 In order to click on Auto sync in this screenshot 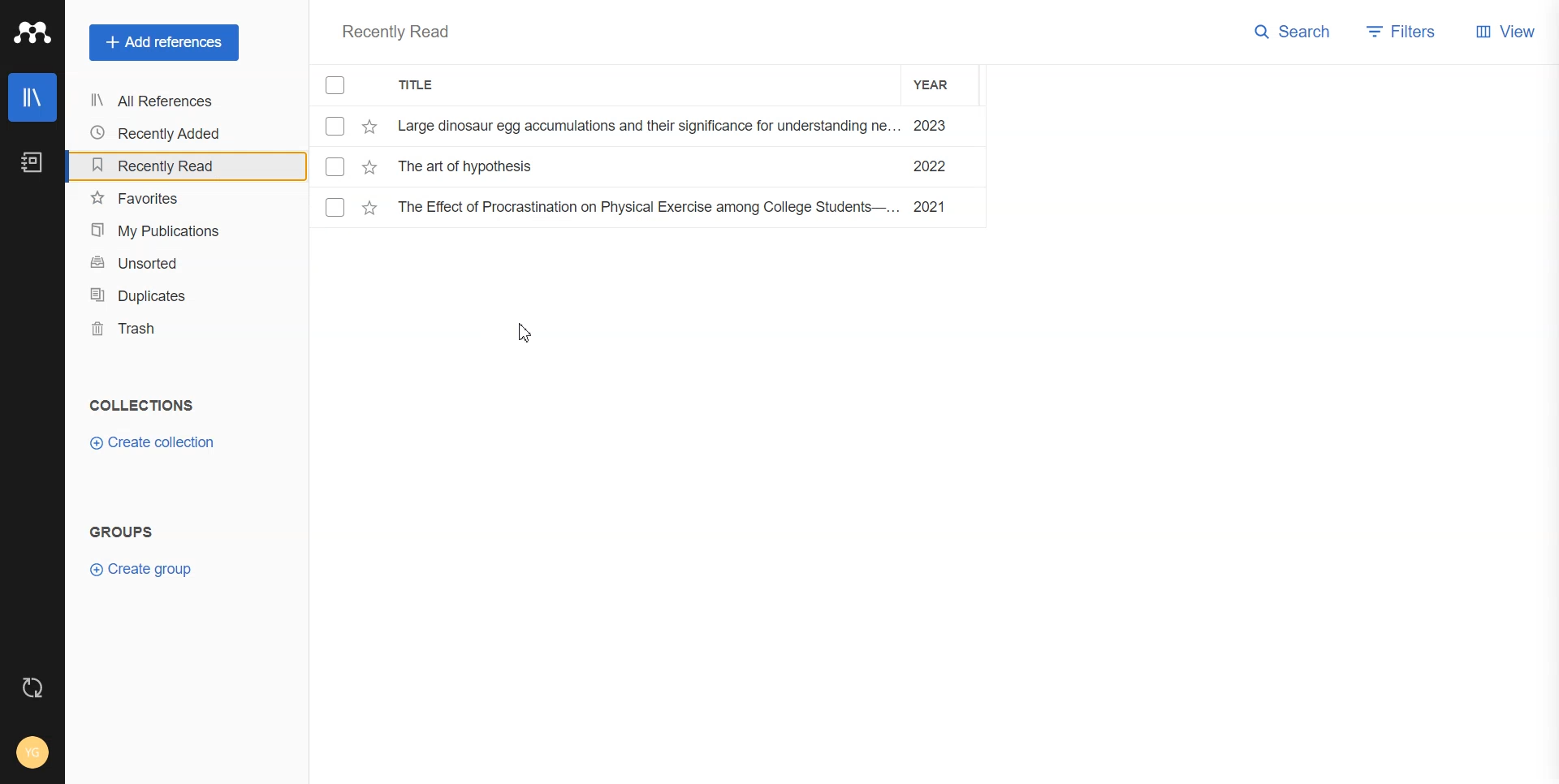, I will do `click(32, 686)`.